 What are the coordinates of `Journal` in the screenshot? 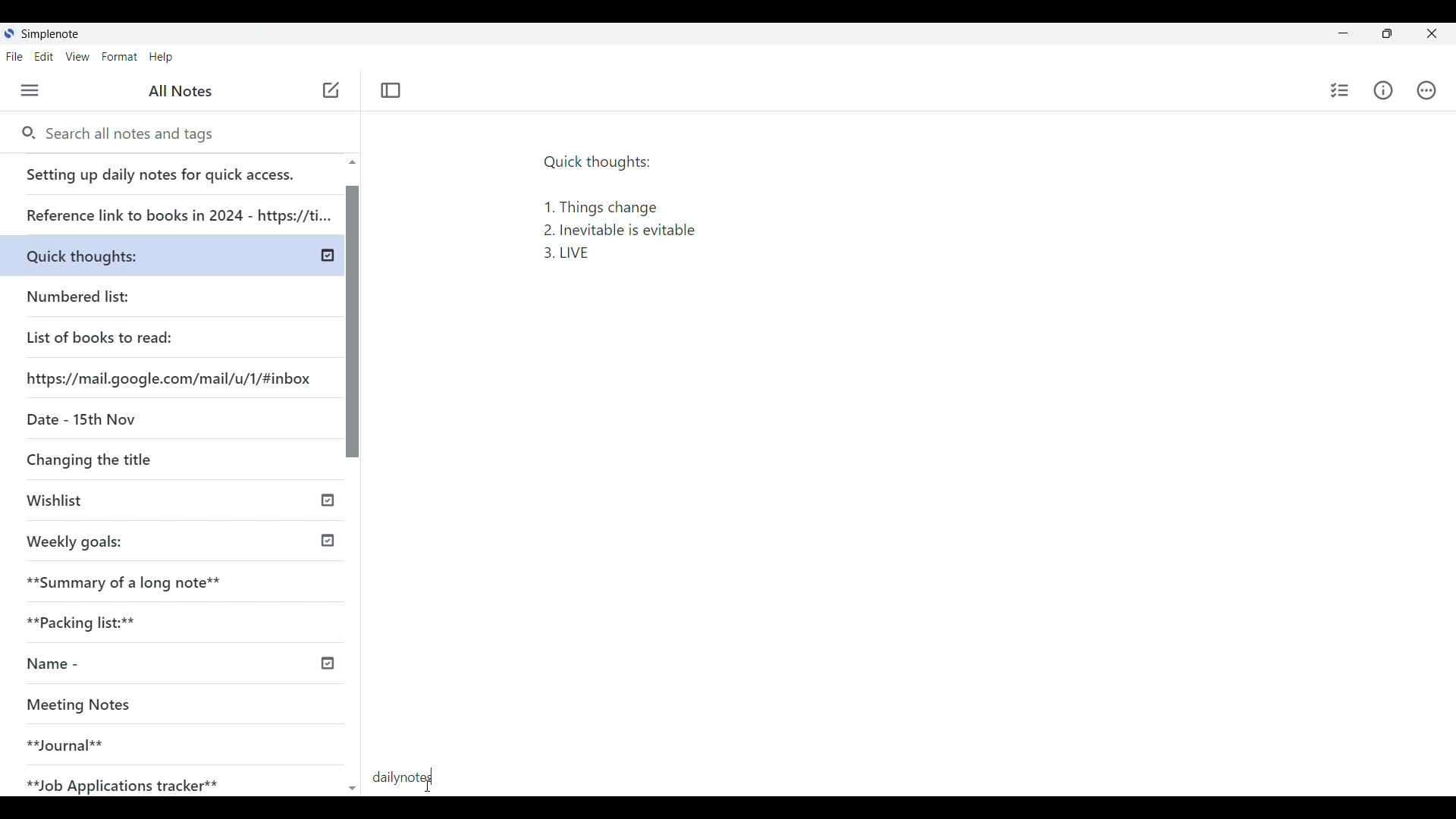 It's located at (151, 739).